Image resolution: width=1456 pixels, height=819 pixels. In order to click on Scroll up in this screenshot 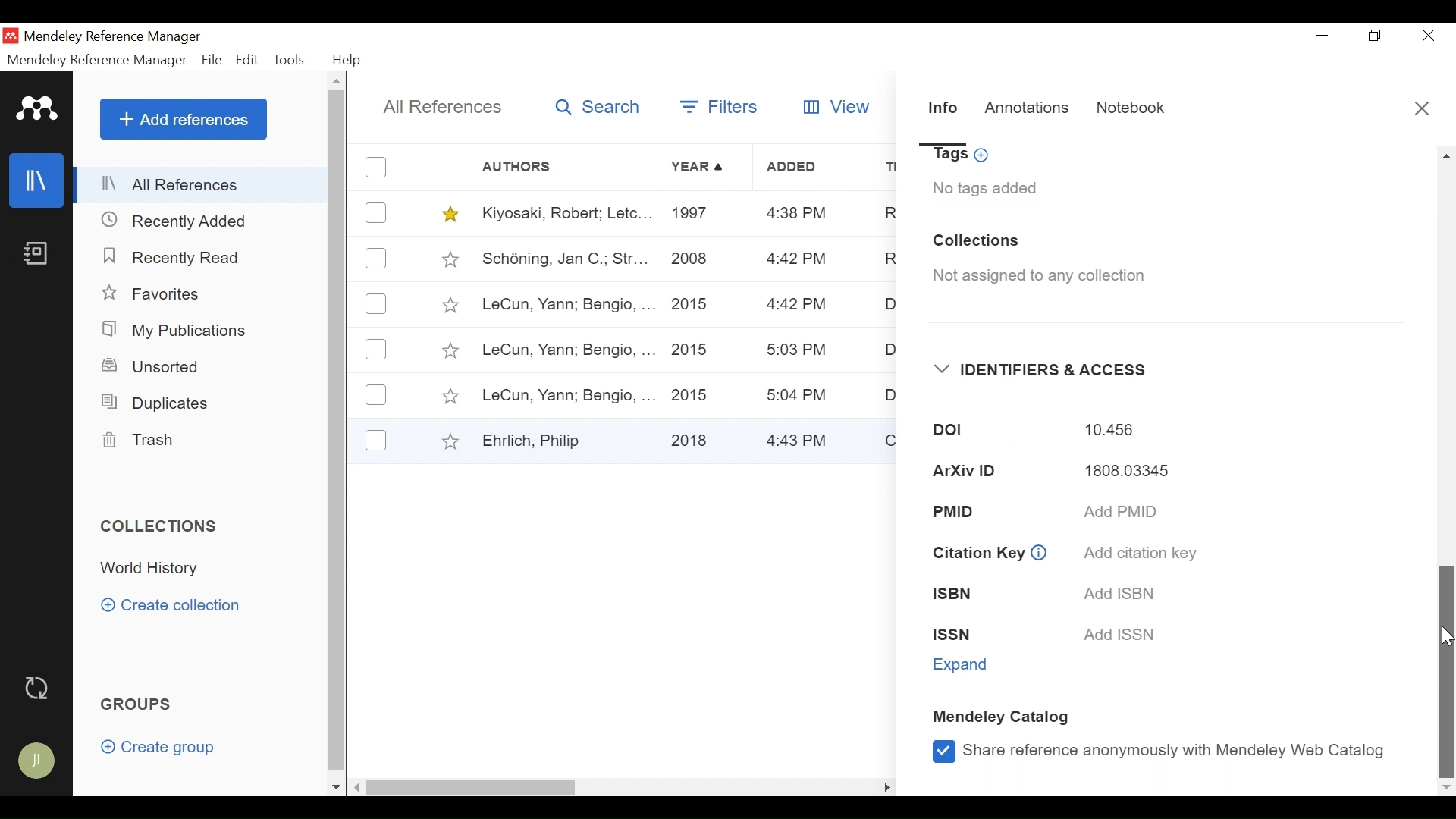, I will do `click(337, 81)`.